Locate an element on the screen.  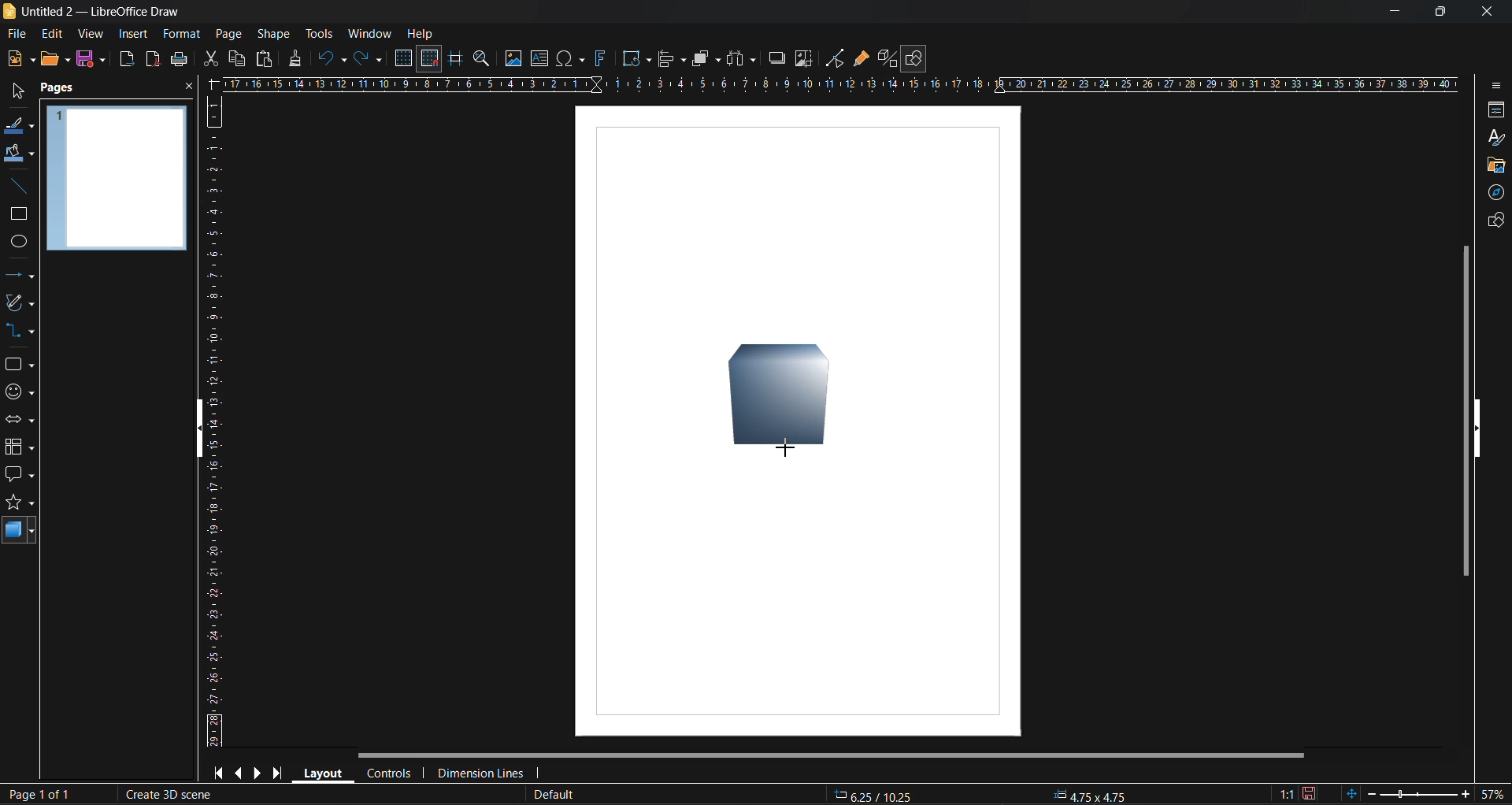
copy is located at coordinates (235, 58).